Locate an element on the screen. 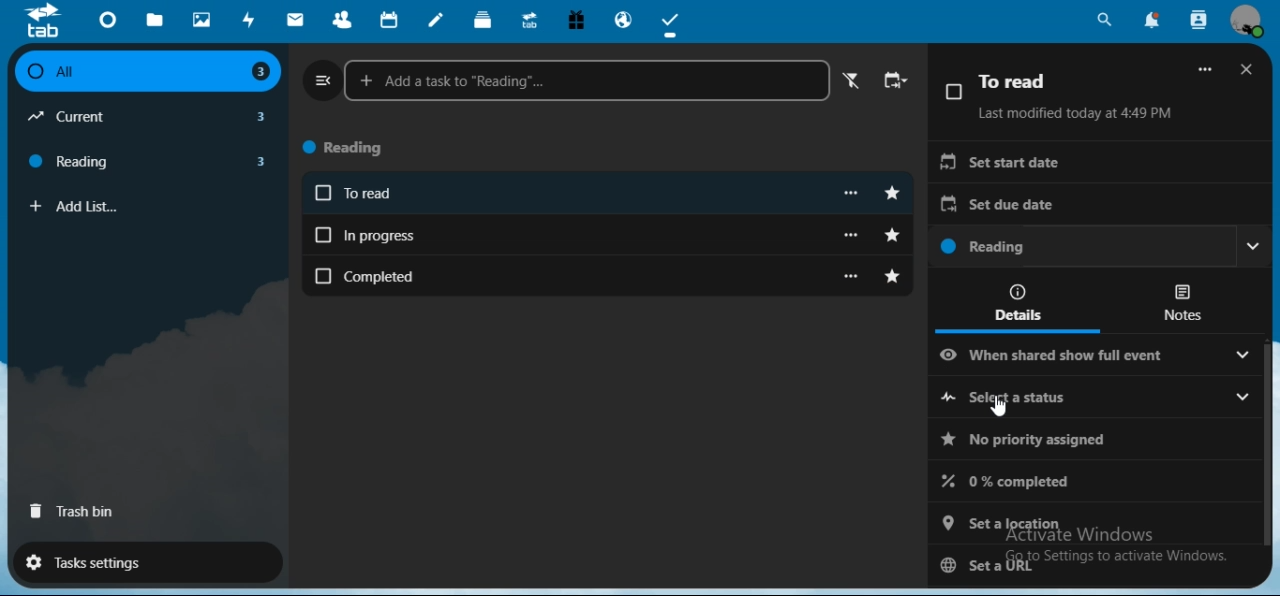  Drop down is located at coordinates (1247, 355).